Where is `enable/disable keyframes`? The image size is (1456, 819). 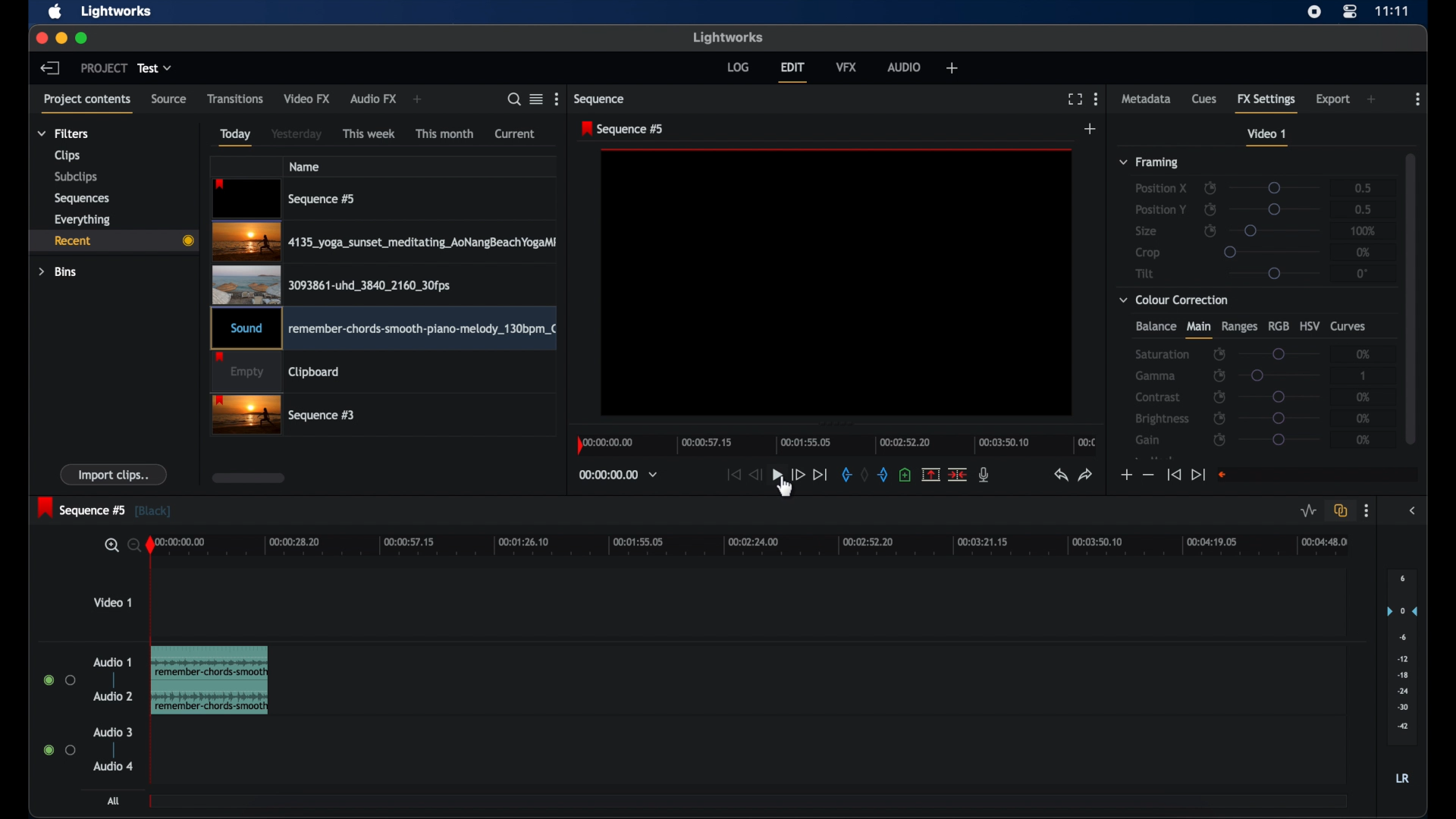 enable/disable keyframes is located at coordinates (1219, 355).